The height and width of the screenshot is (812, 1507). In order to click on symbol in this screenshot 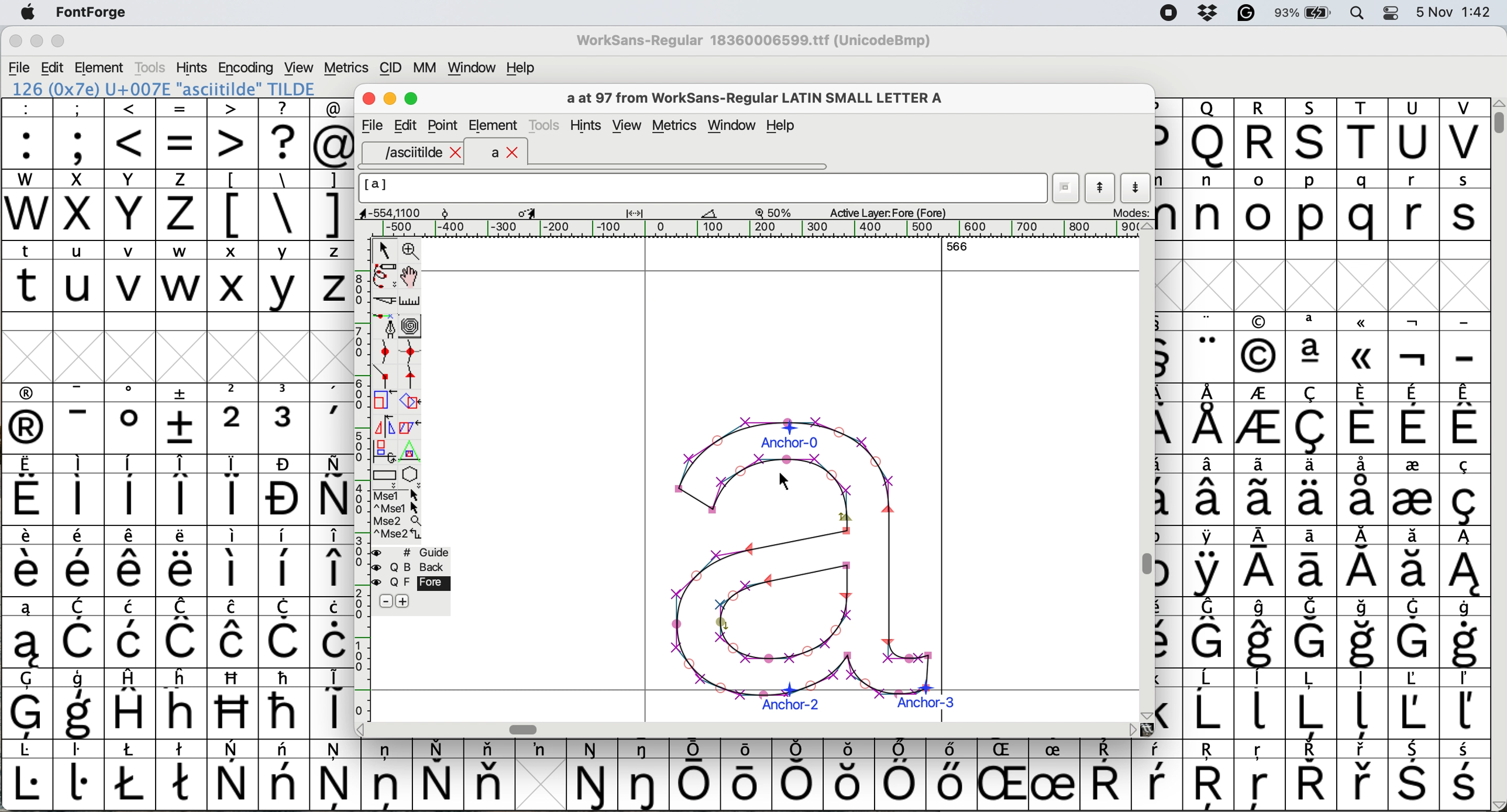, I will do `click(78, 490)`.